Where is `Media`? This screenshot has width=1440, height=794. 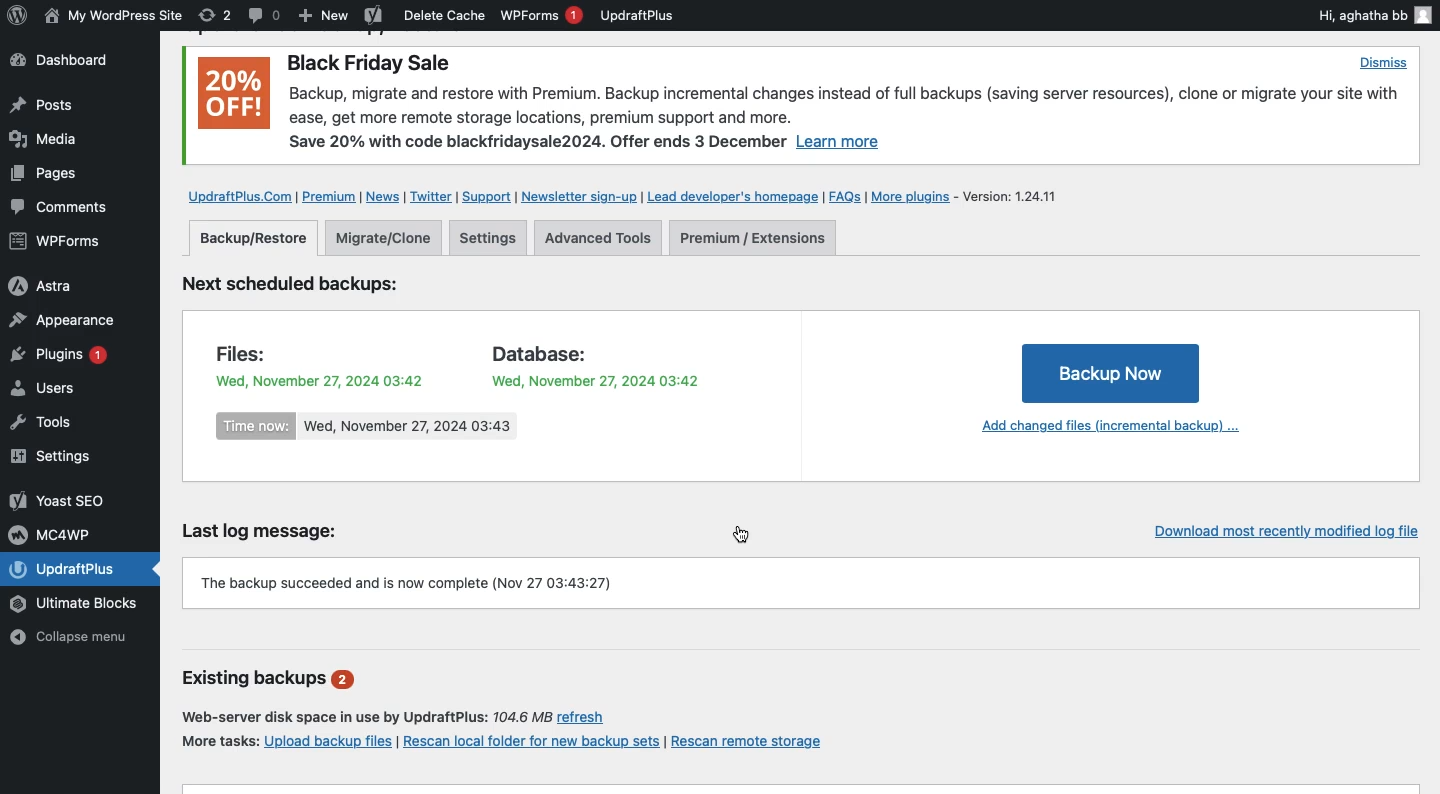 Media is located at coordinates (46, 138).